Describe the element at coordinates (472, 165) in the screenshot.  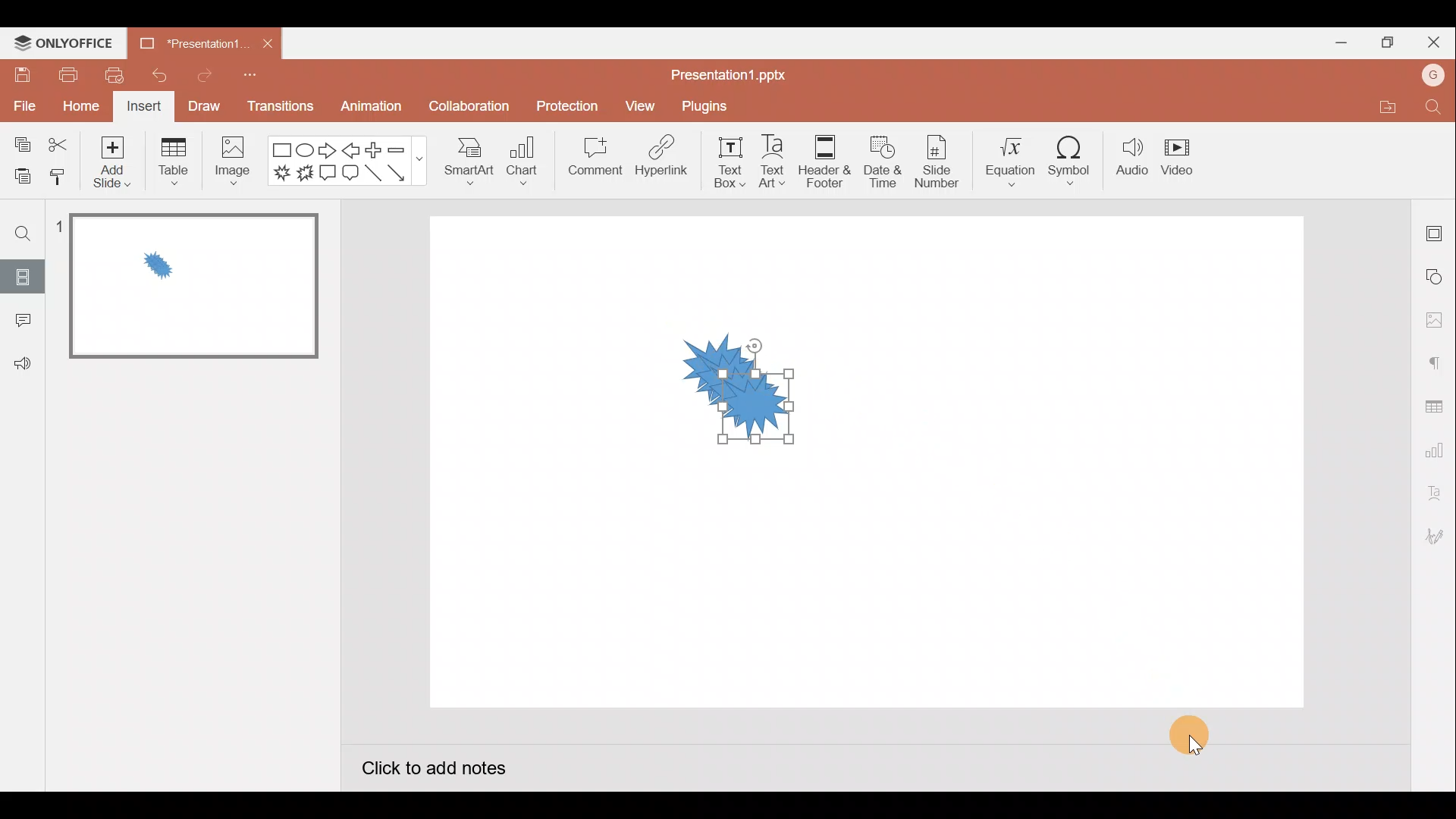
I see `Smart Art` at that location.